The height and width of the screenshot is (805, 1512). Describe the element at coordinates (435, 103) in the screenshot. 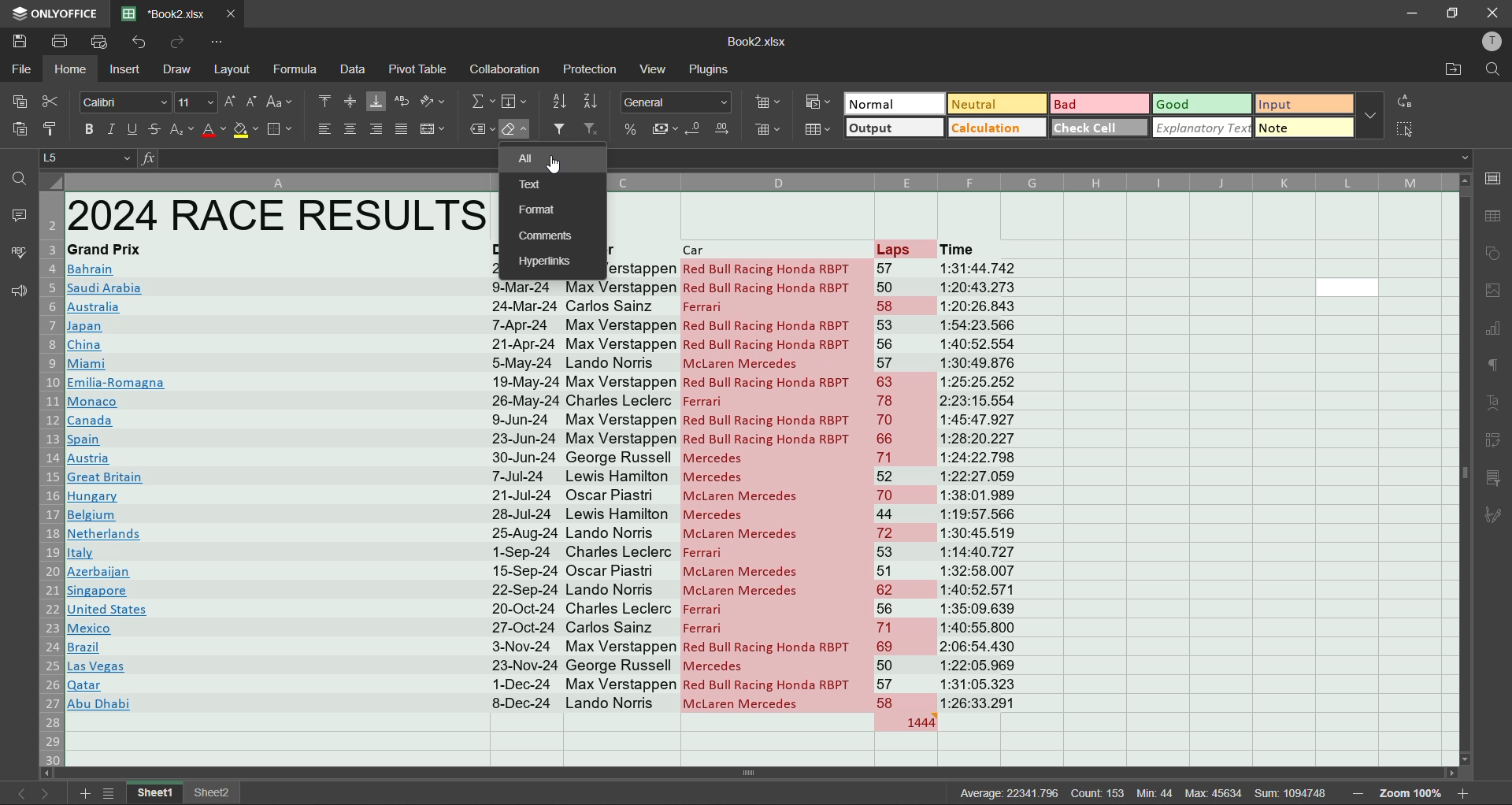

I see `orientation` at that location.